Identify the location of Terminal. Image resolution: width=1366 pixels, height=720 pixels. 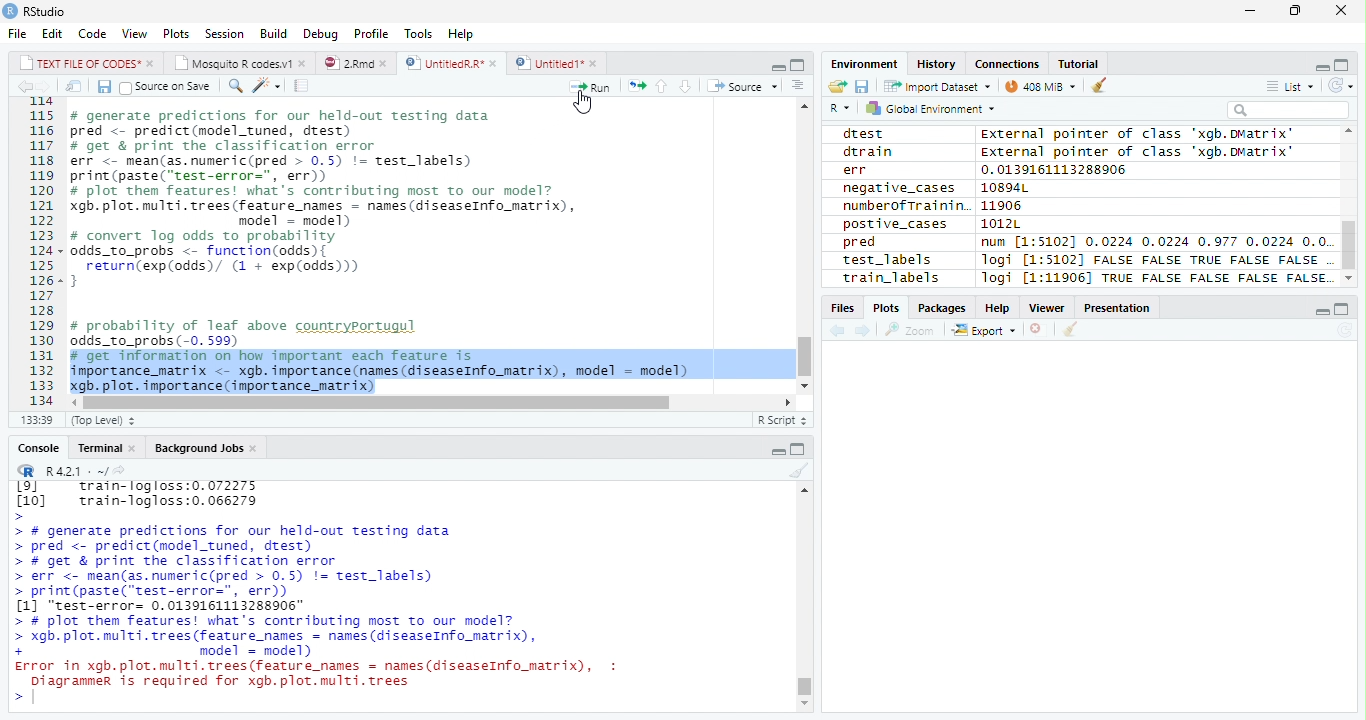
(105, 449).